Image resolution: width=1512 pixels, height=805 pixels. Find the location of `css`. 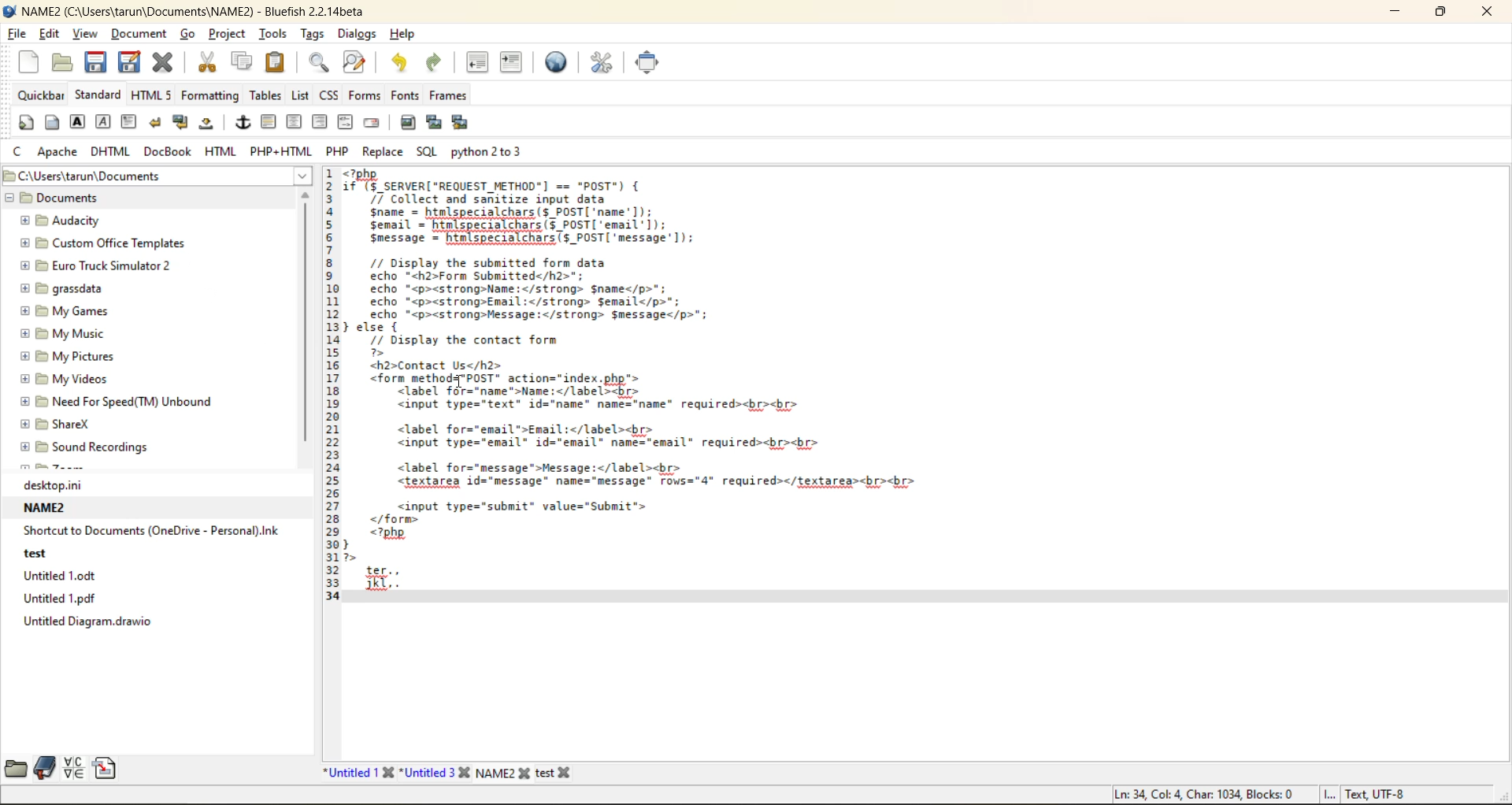

css is located at coordinates (326, 95).